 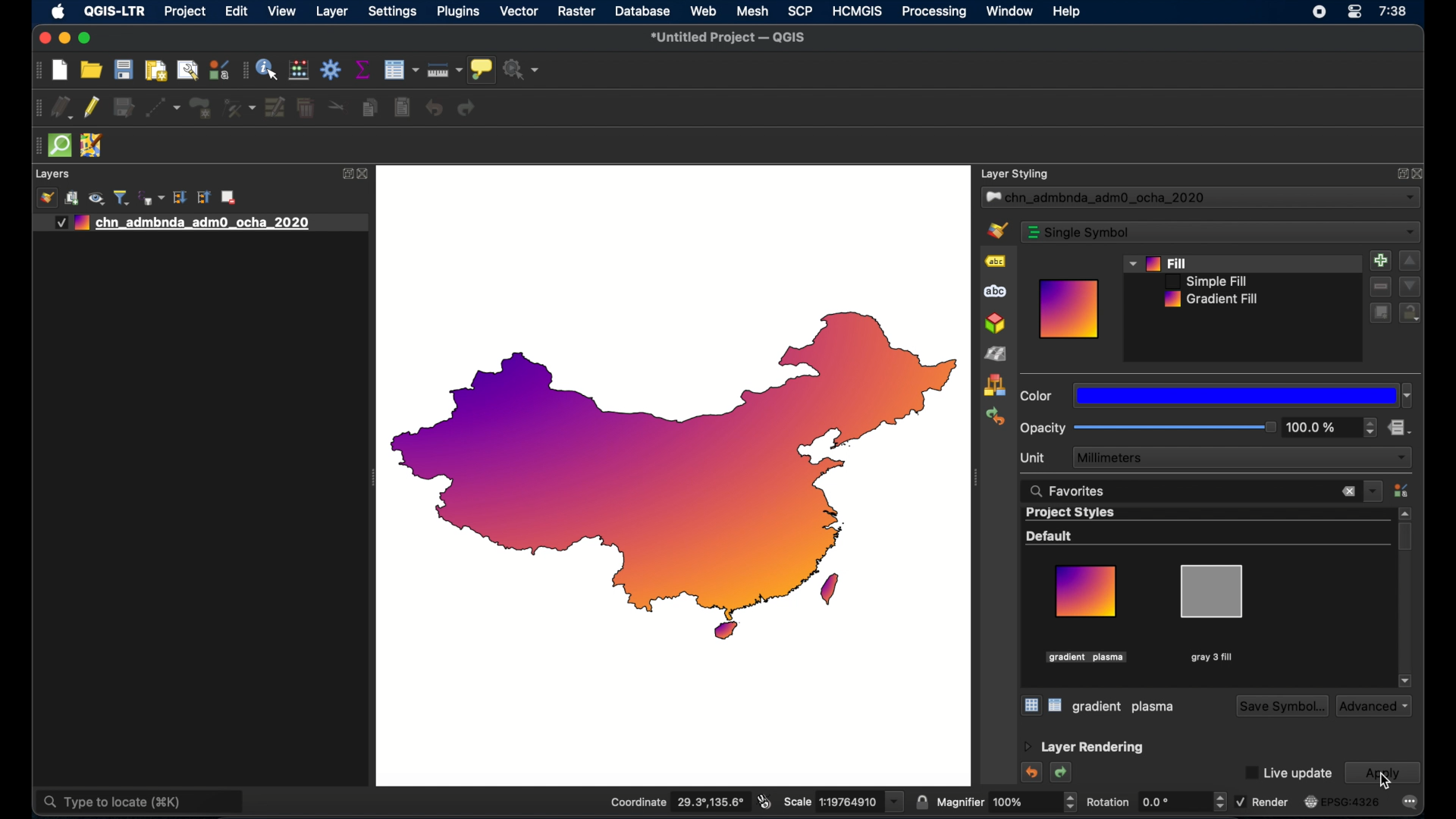 What do you see at coordinates (1406, 681) in the screenshot?
I see `scroll down arrow` at bounding box center [1406, 681].